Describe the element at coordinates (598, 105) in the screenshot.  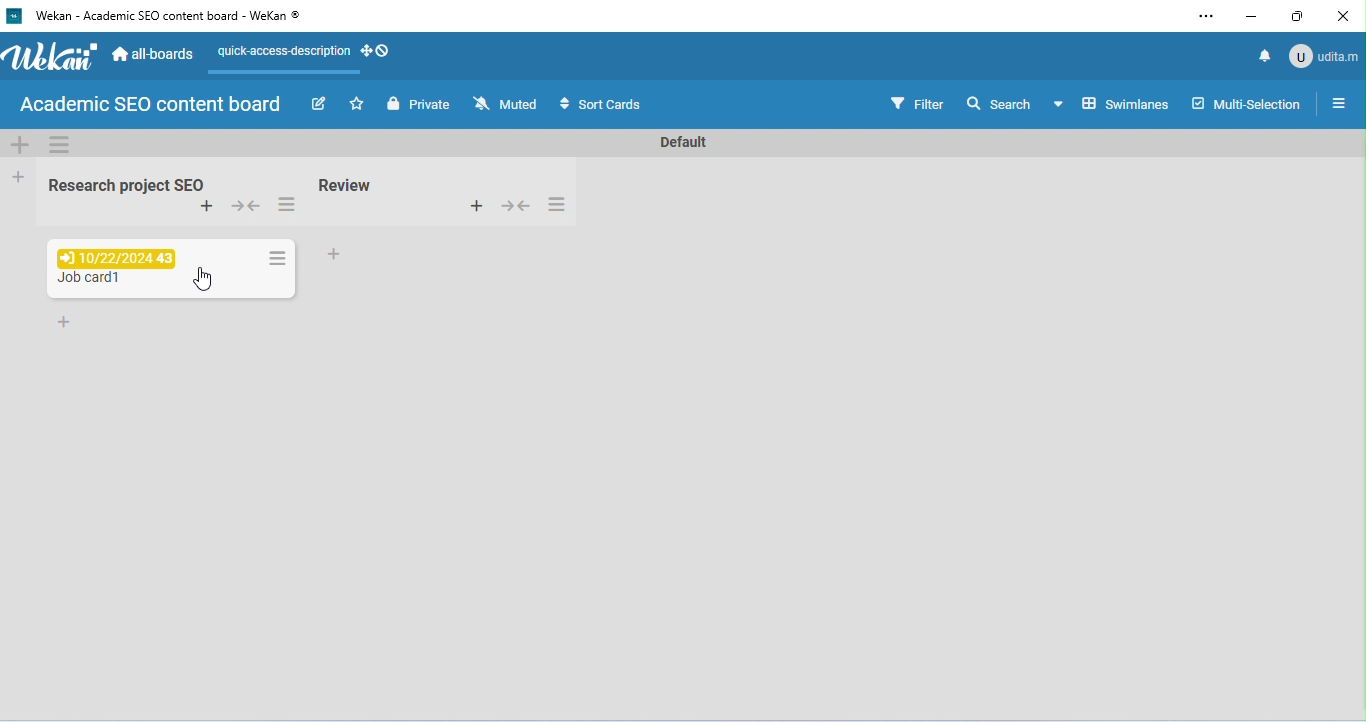
I see `sort cards` at that location.